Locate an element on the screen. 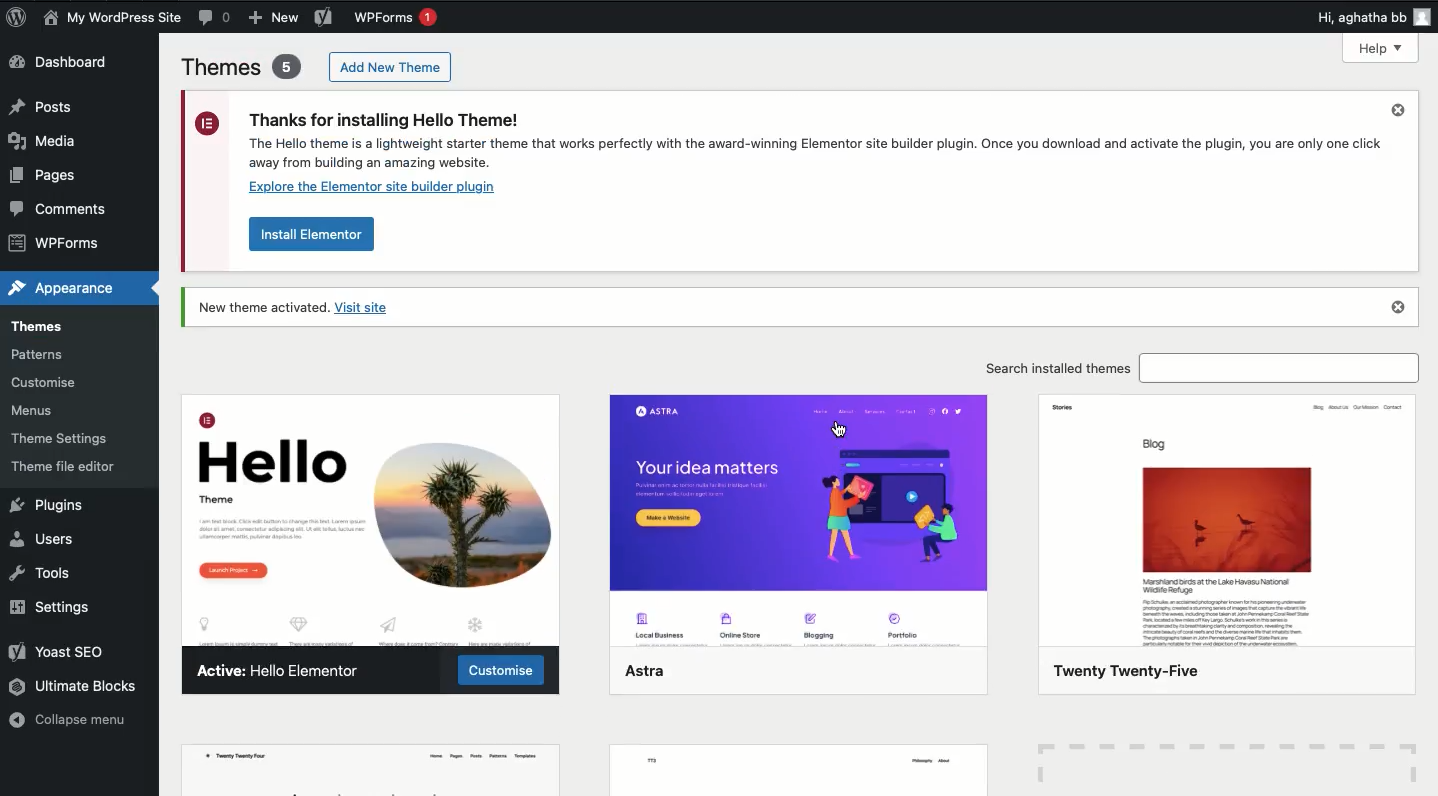  Media is located at coordinates (44, 141).